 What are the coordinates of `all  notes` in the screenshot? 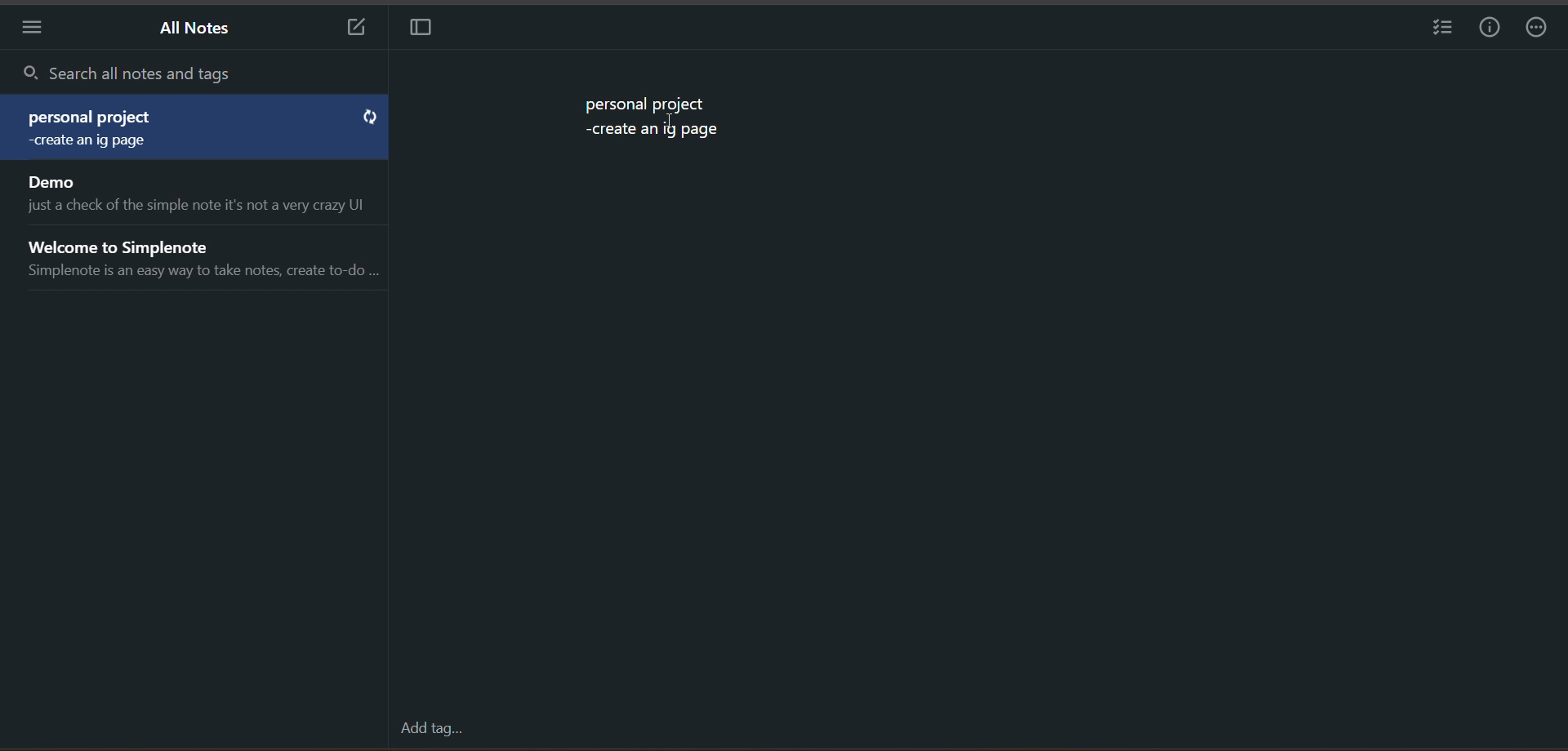 It's located at (198, 28).